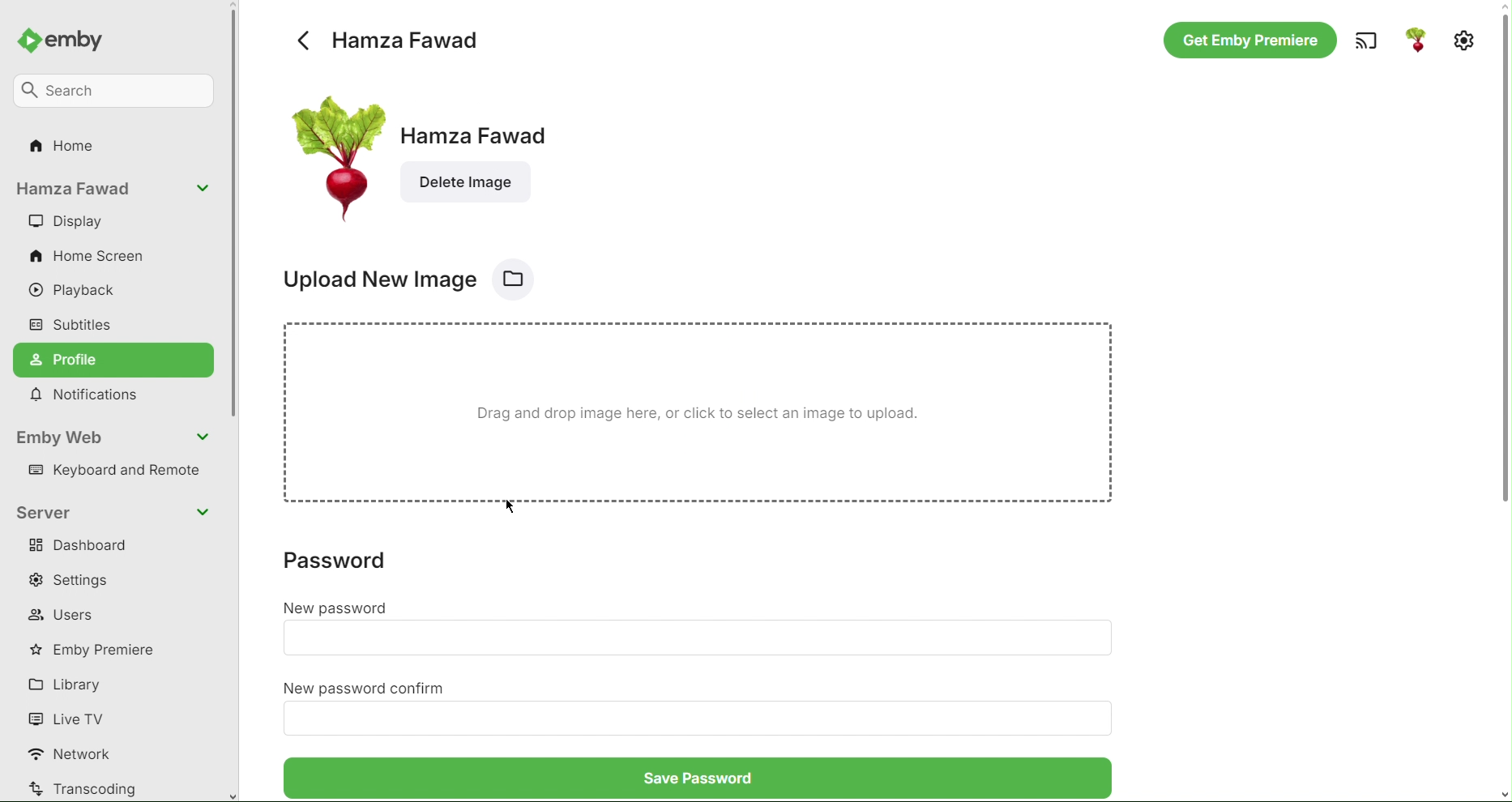 The height and width of the screenshot is (802, 1512). What do you see at coordinates (698, 638) in the screenshot?
I see `New Password` at bounding box center [698, 638].